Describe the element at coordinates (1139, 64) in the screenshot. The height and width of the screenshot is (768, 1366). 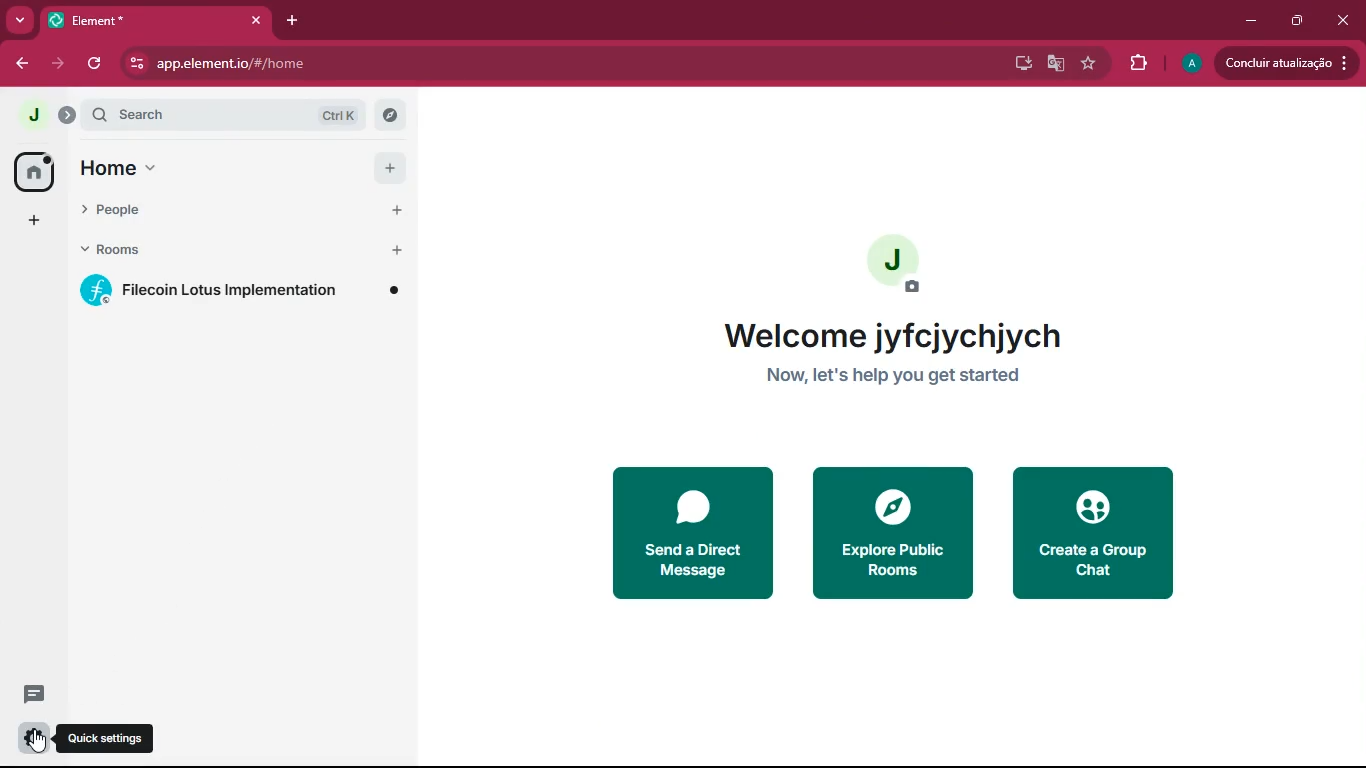
I see `extensions` at that location.